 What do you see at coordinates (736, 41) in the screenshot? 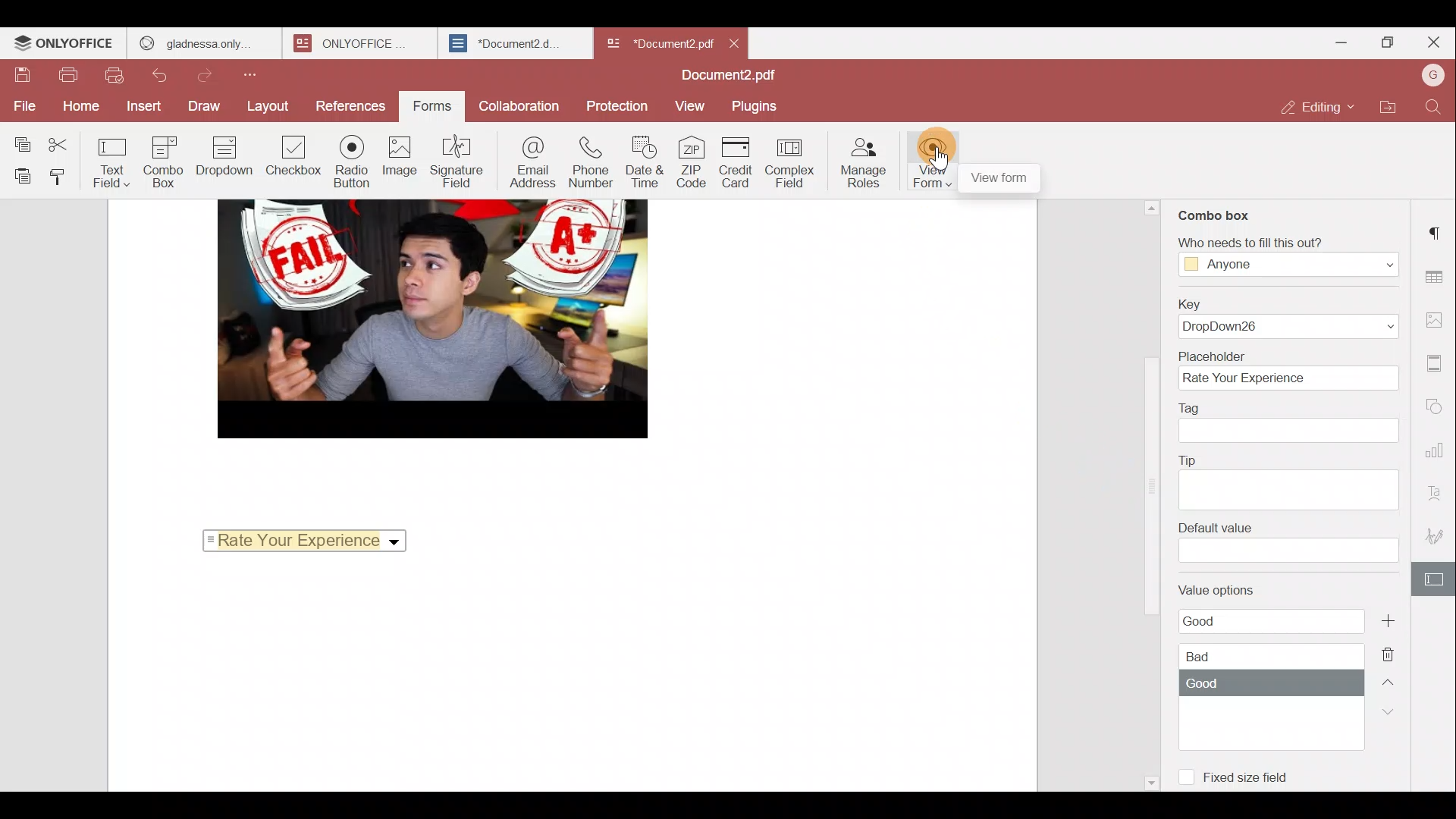
I see `Close` at bounding box center [736, 41].